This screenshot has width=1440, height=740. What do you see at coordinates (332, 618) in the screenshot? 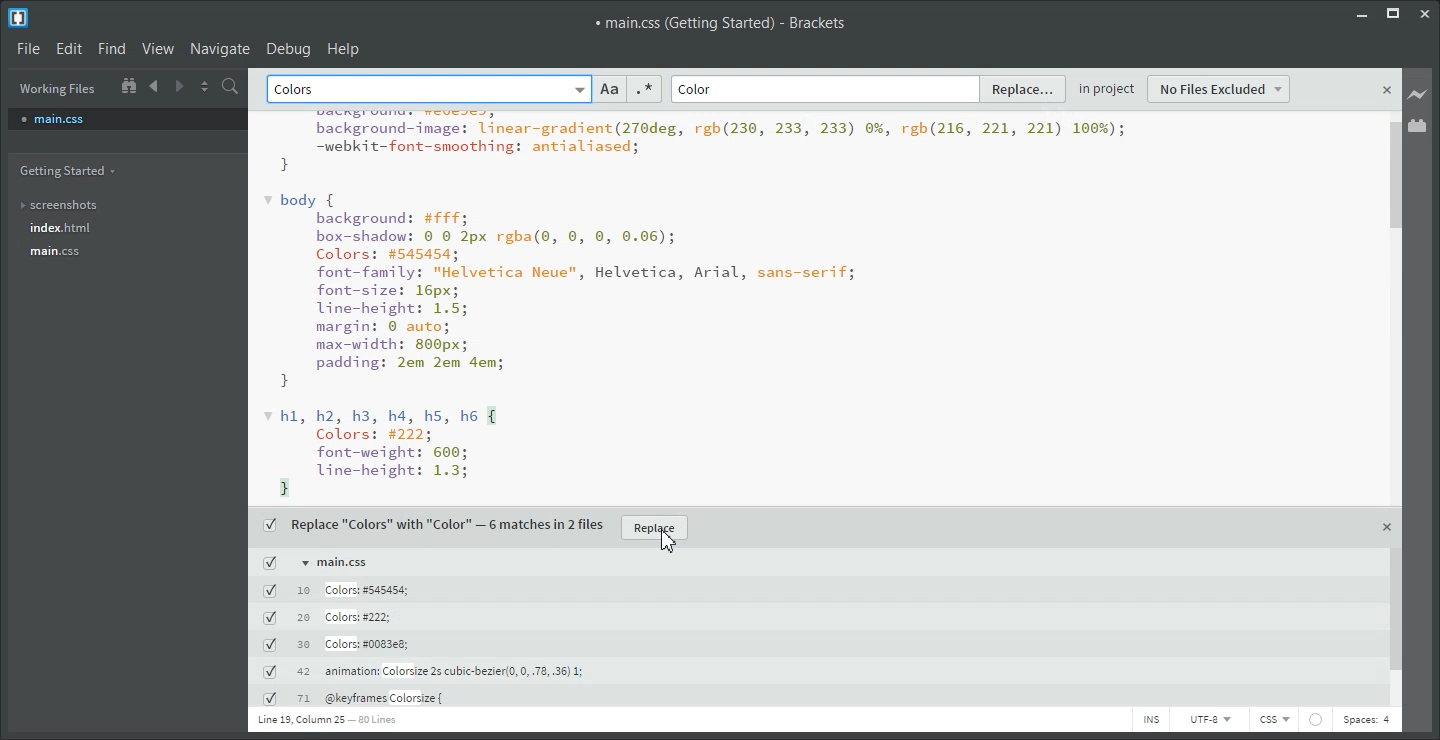
I see `20 Colors: #222;` at bounding box center [332, 618].